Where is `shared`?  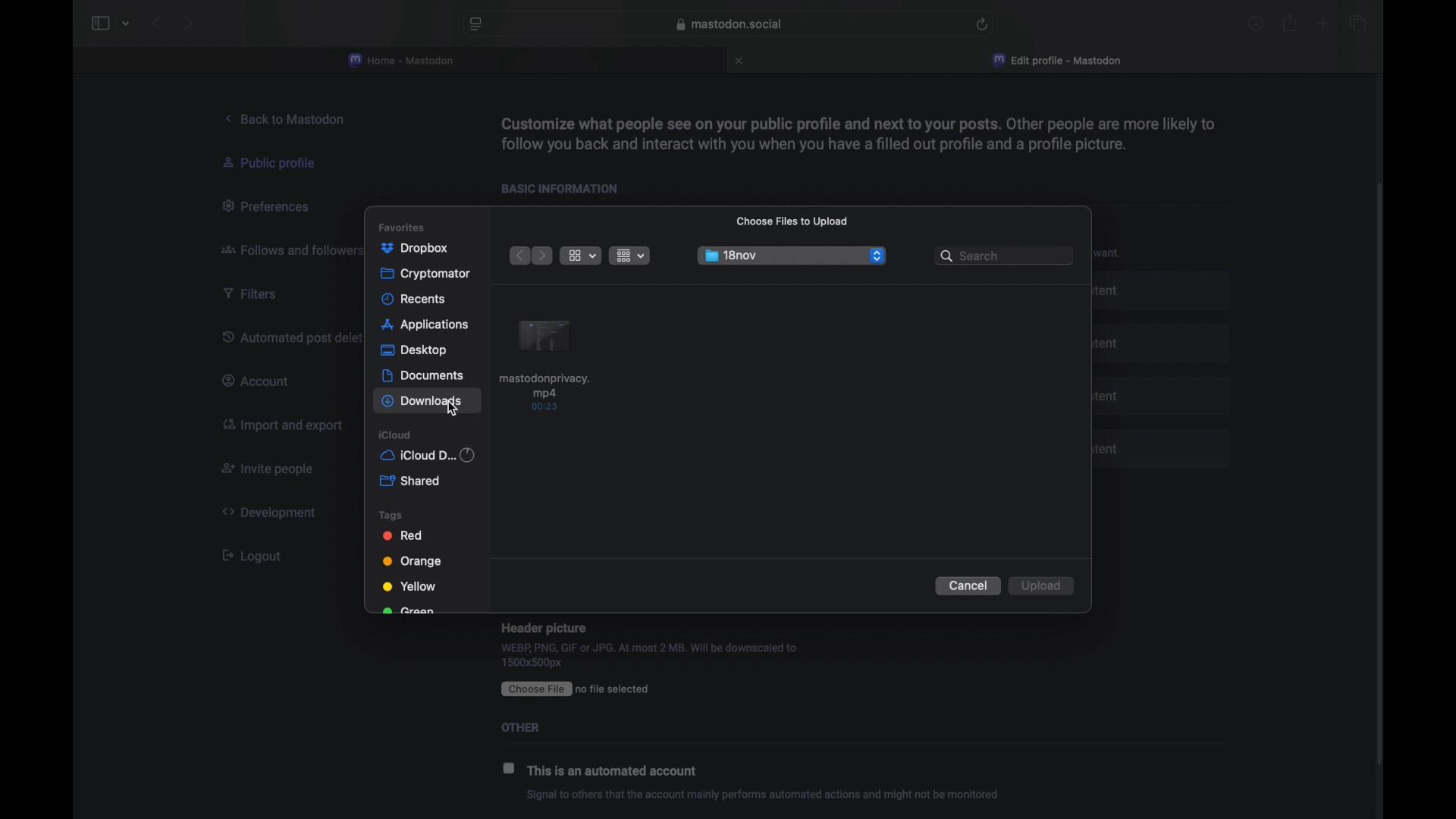 shared is located at coordinates (409, 481).